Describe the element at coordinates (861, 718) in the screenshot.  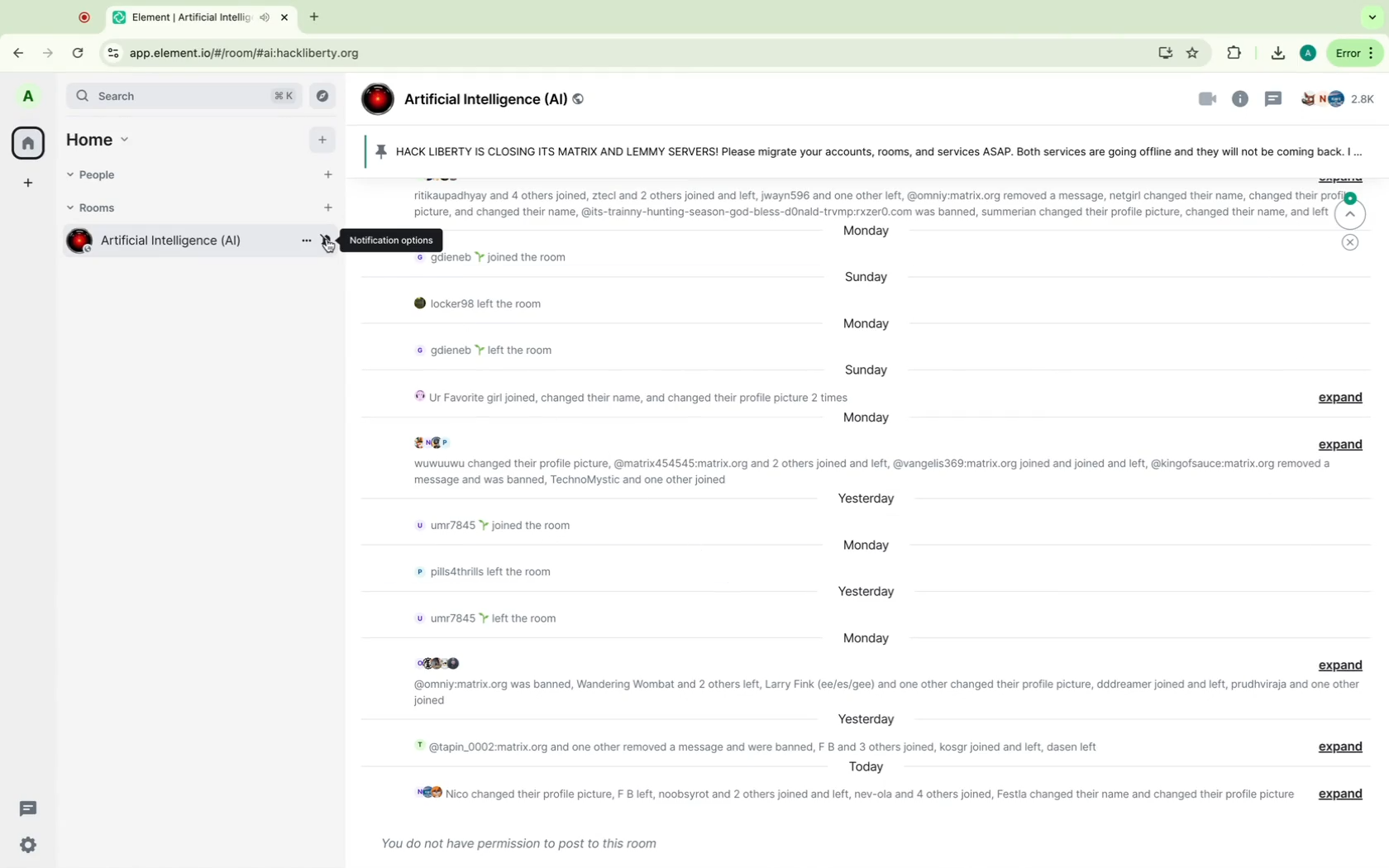
I see `day` at that location.